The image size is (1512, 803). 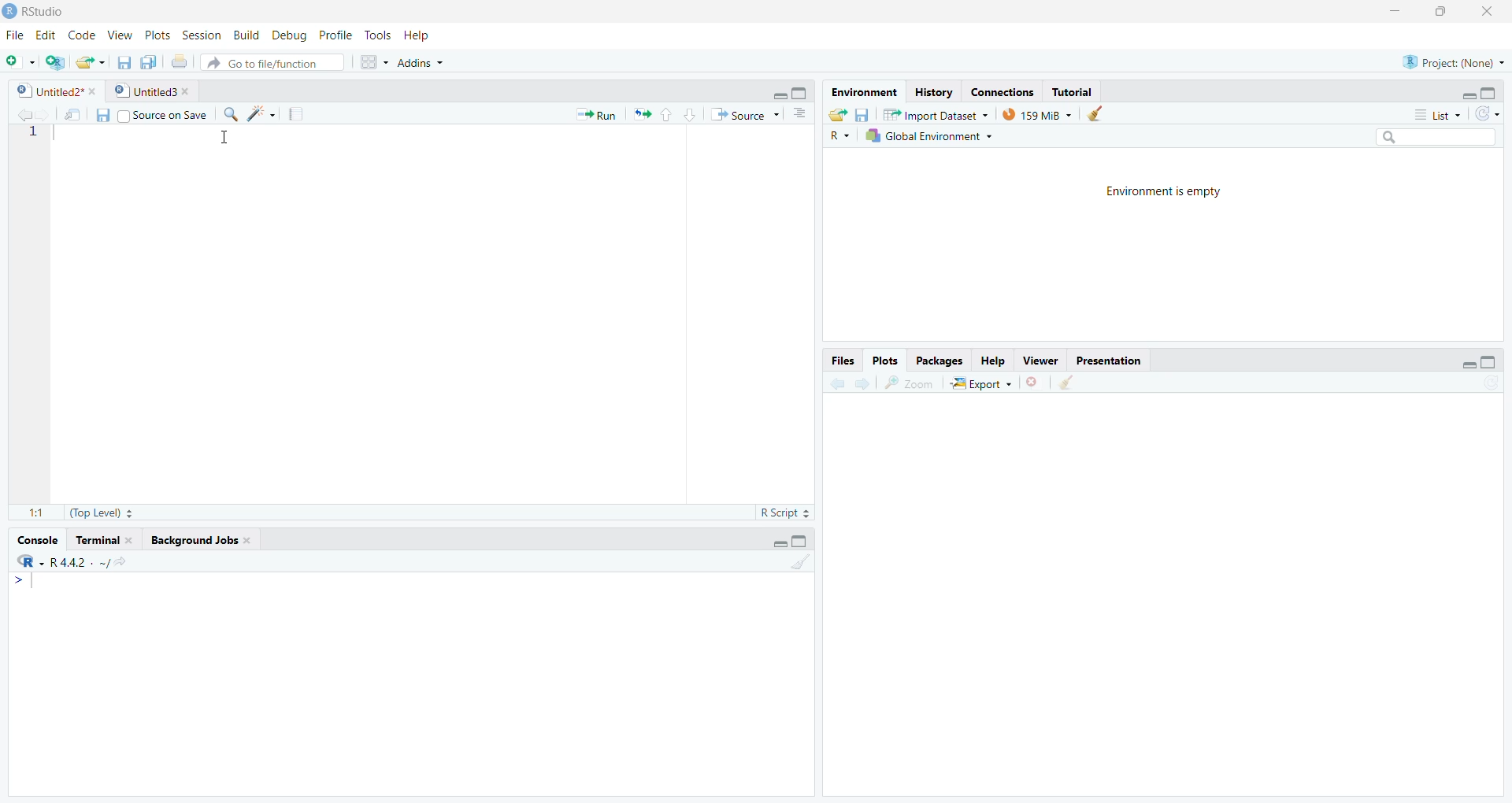 I want to click on Viewer, so click(x=1042, y=361).